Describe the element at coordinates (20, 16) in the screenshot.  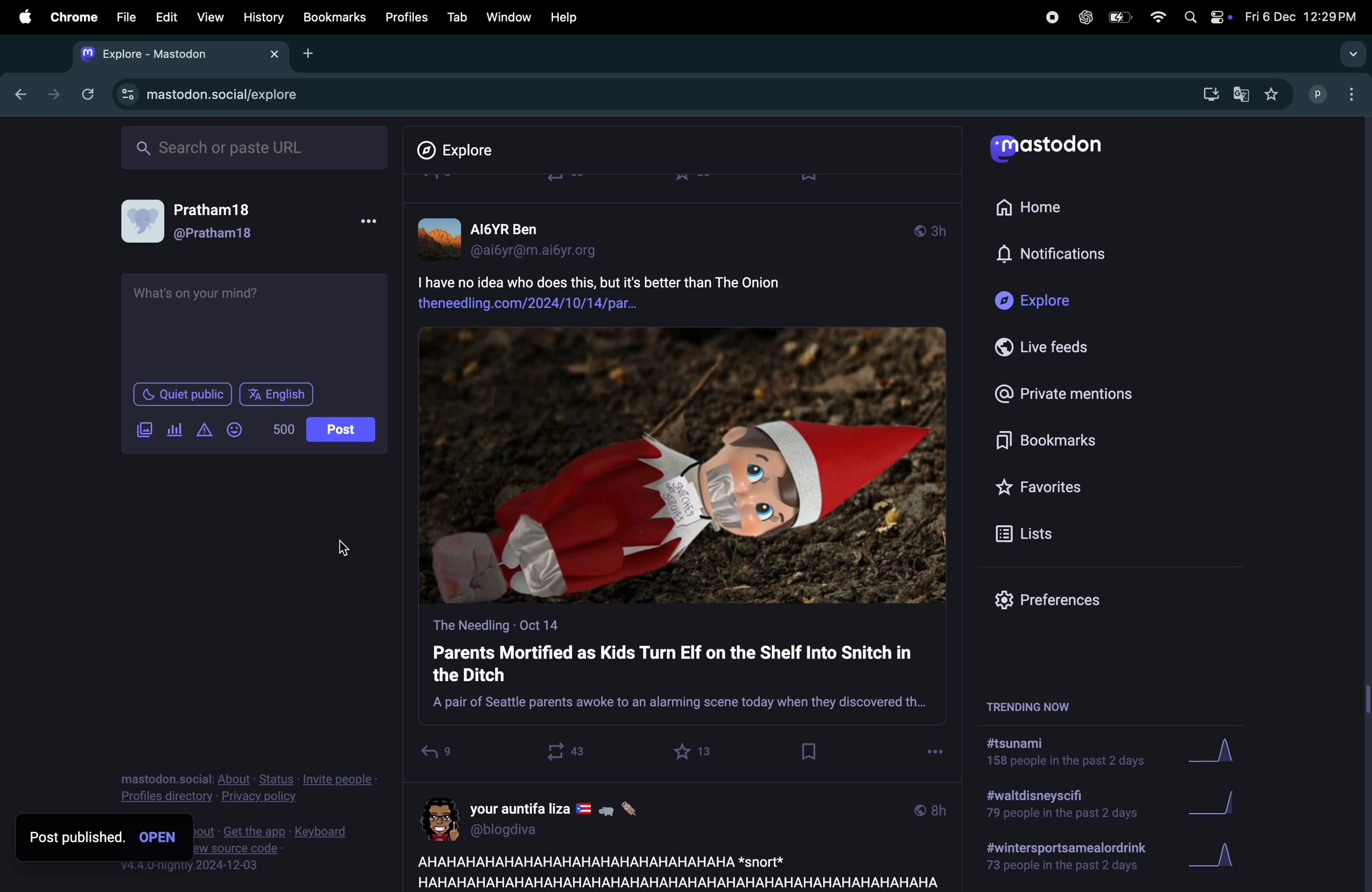
I see `apple menu` at that location.